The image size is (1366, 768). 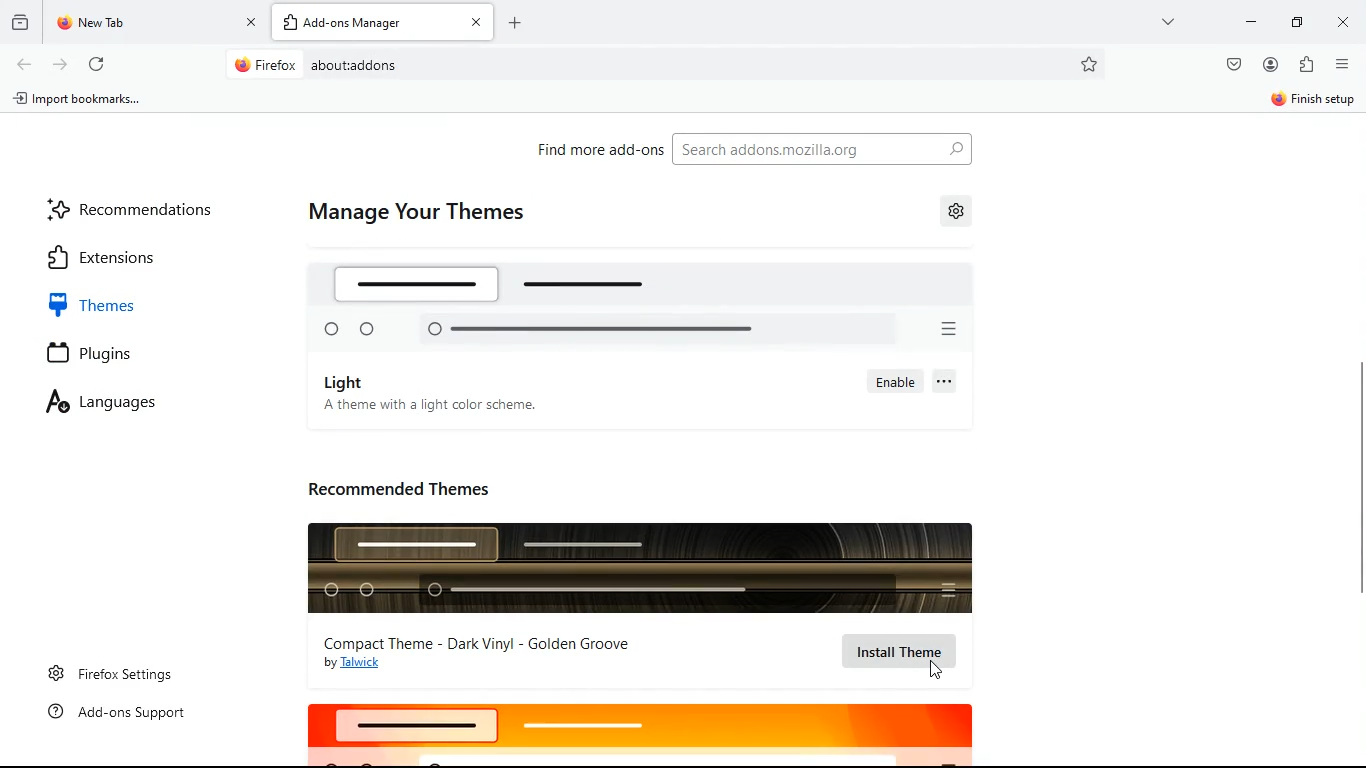 I want to click on logo, so click(x=657, y=301).